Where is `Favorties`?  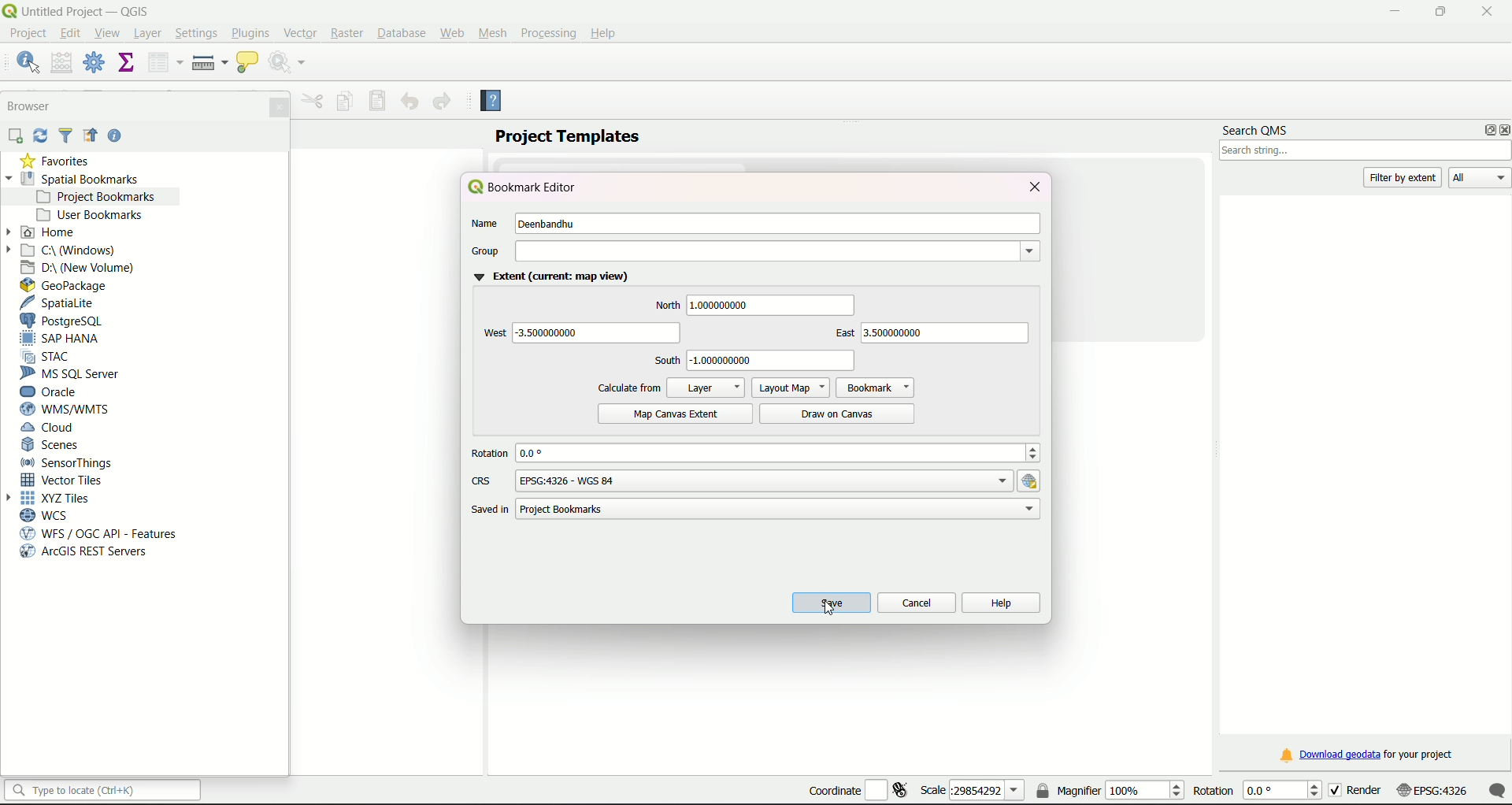
Favorties is located at coordinates (55, 161).